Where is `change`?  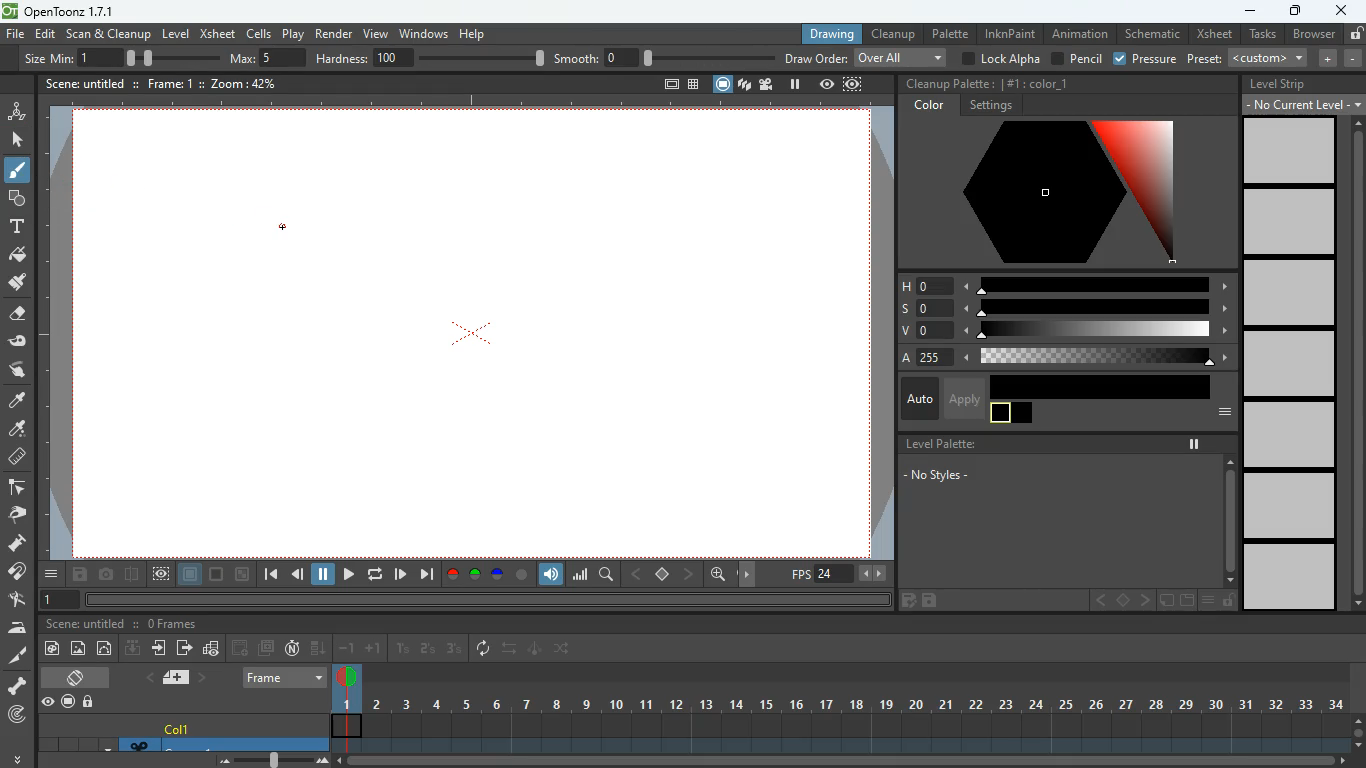 change is located at coordinates (106, 648).